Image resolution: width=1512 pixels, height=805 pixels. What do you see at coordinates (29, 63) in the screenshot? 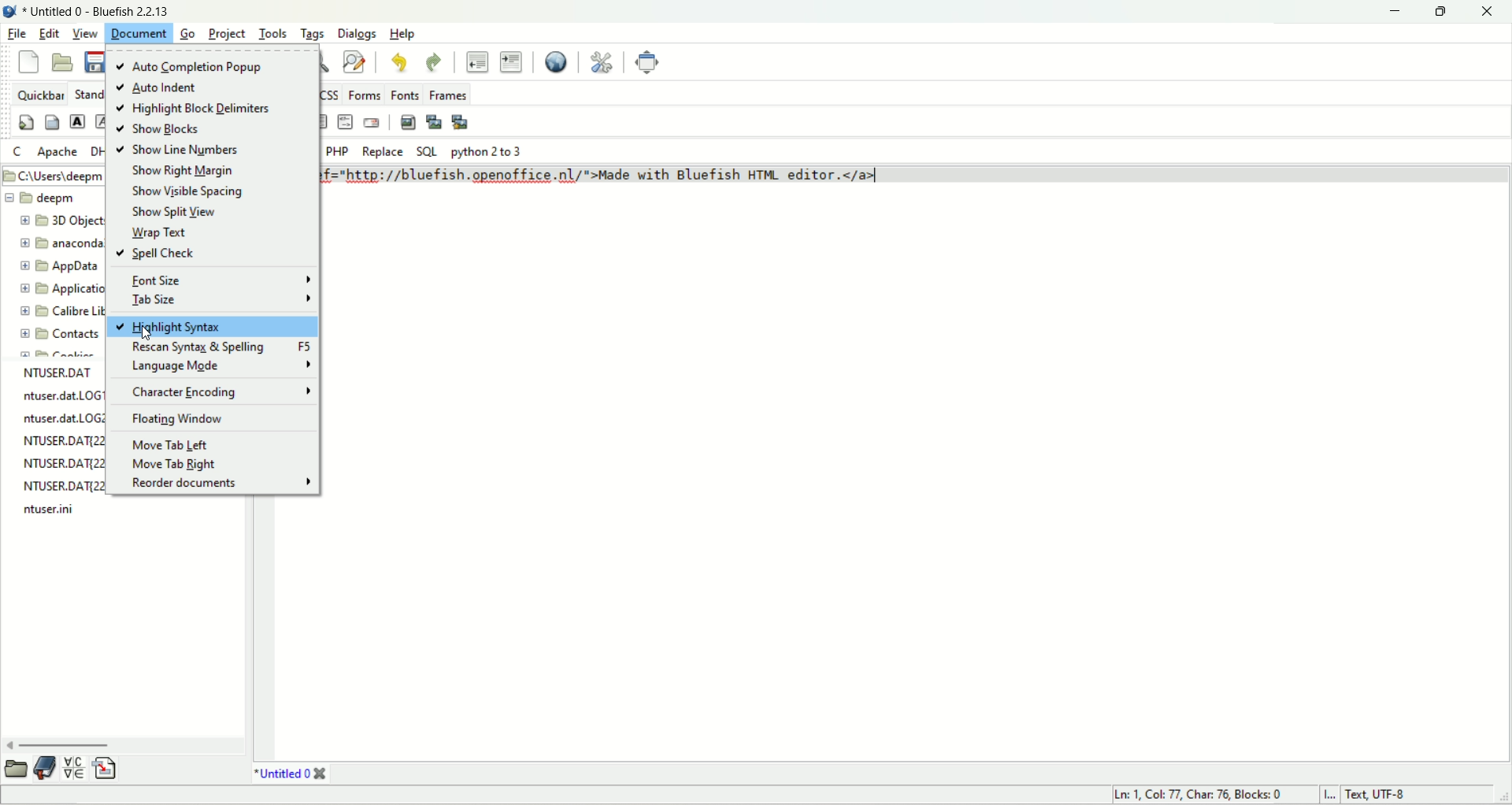
I see `new` at bounding box center [29, 63].